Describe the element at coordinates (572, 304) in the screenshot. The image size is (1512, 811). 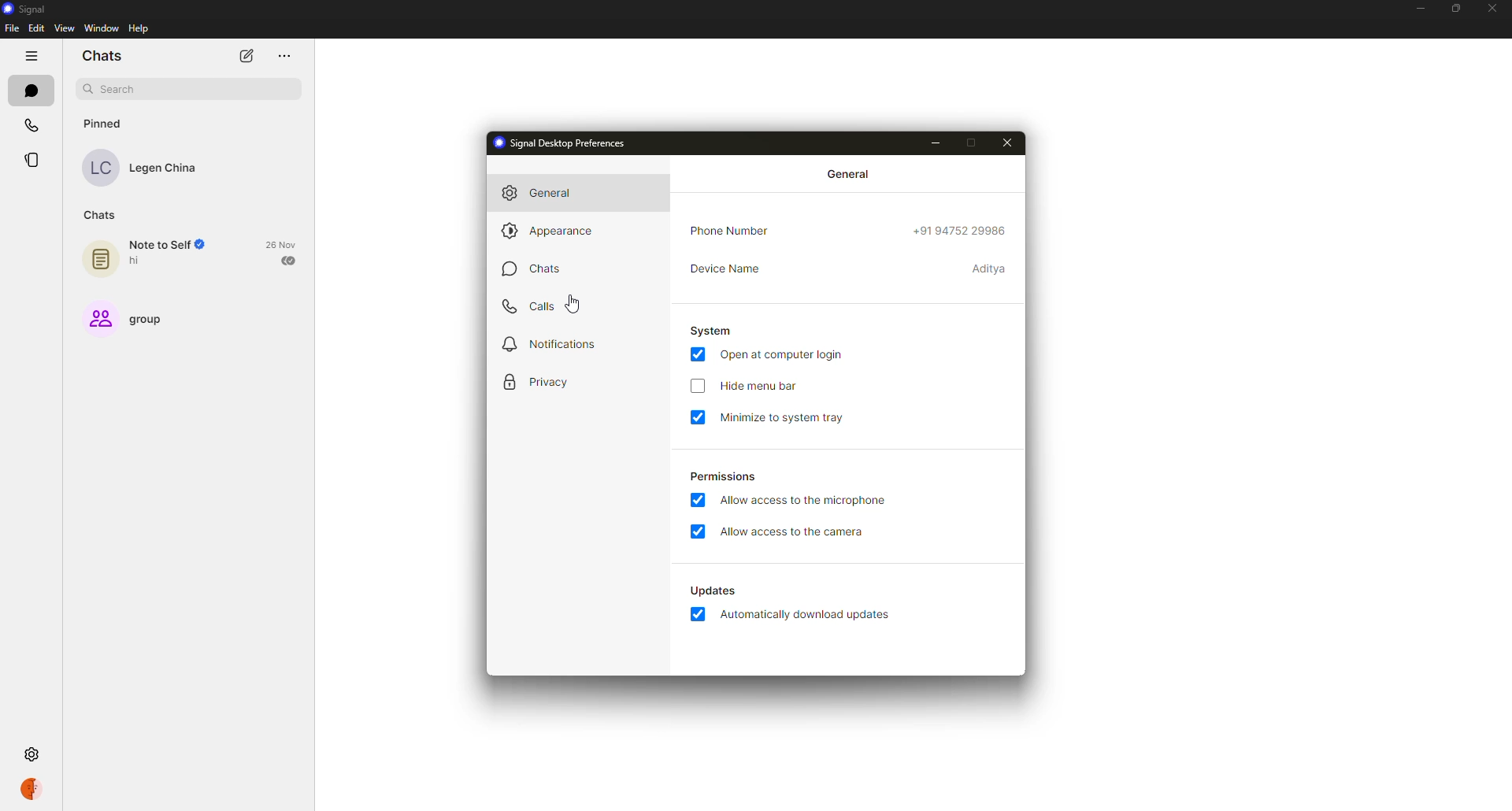
I see `cursor` at that location.